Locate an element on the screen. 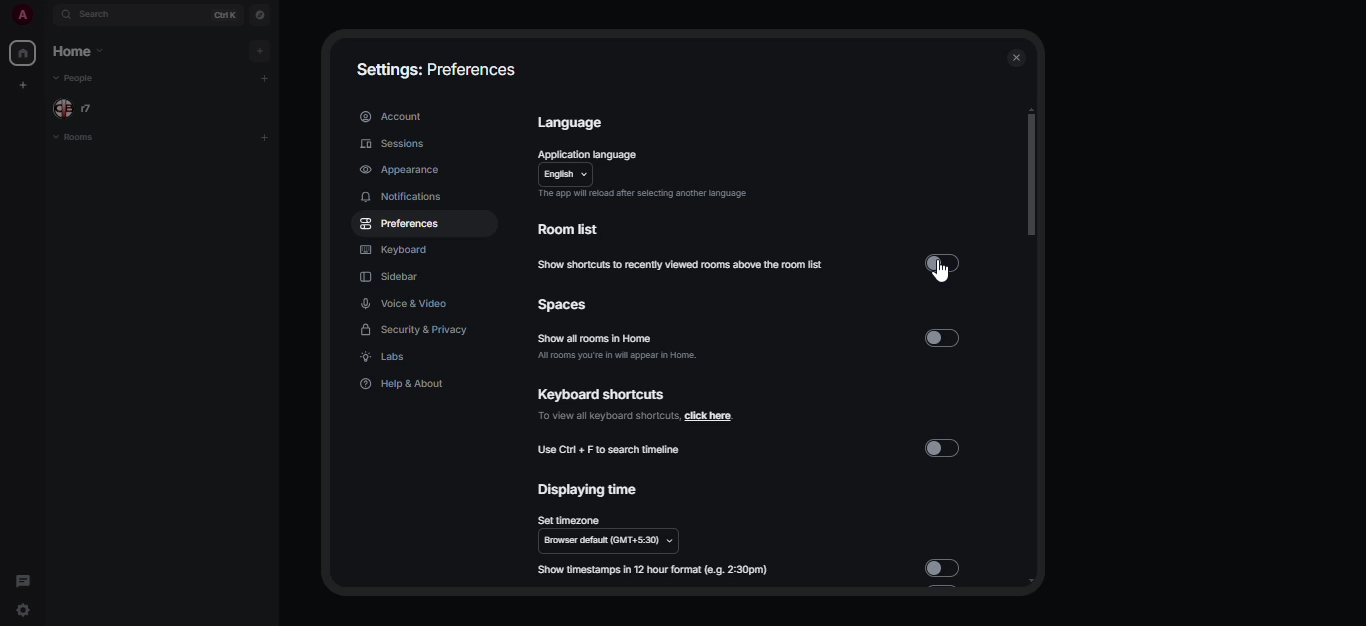 Image resolution: width=1366 pixels, height=626 pixels. add is located at coordinates (265, 78).